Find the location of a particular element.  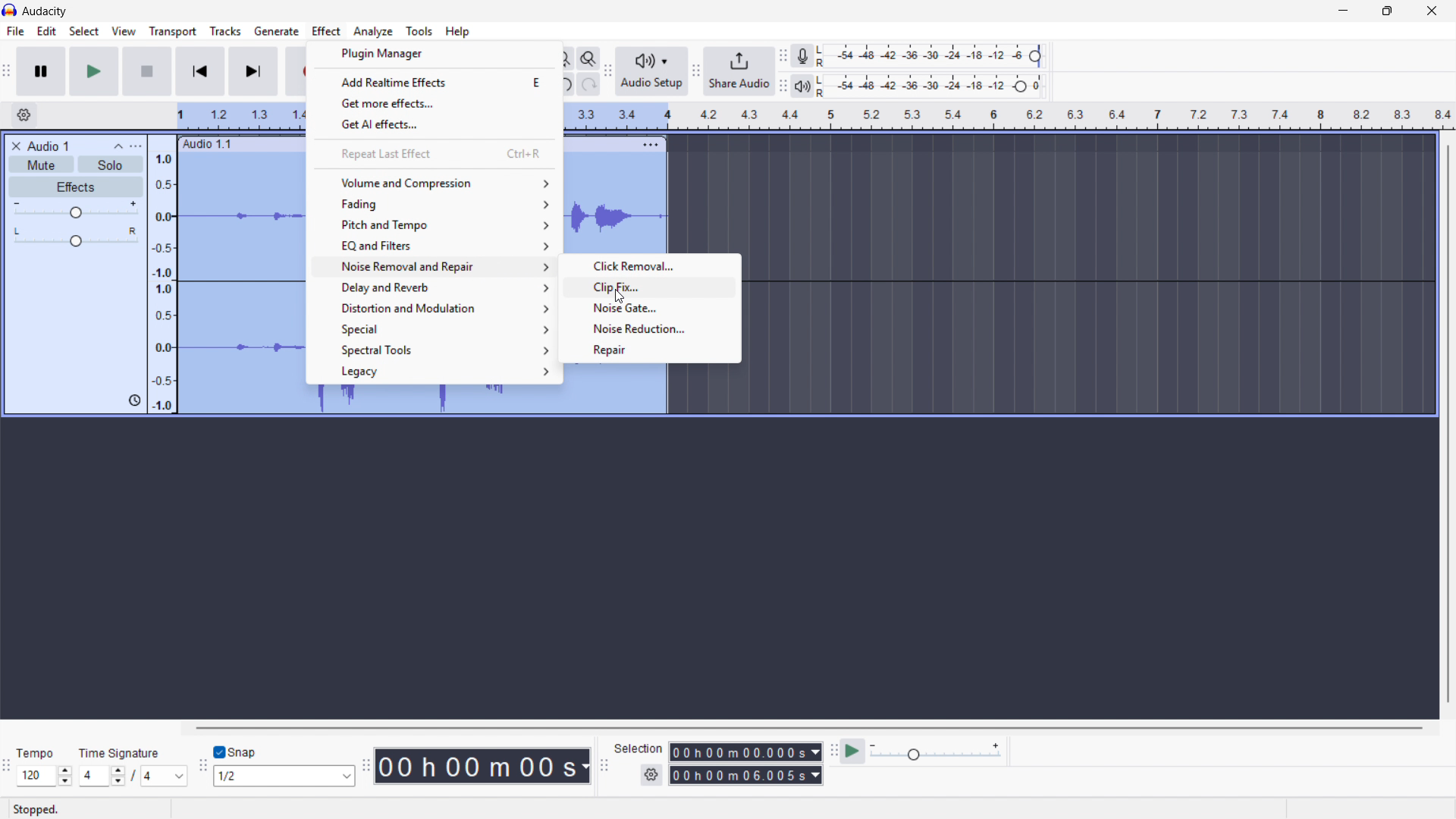

Generate is located at coordinates (276, 31).